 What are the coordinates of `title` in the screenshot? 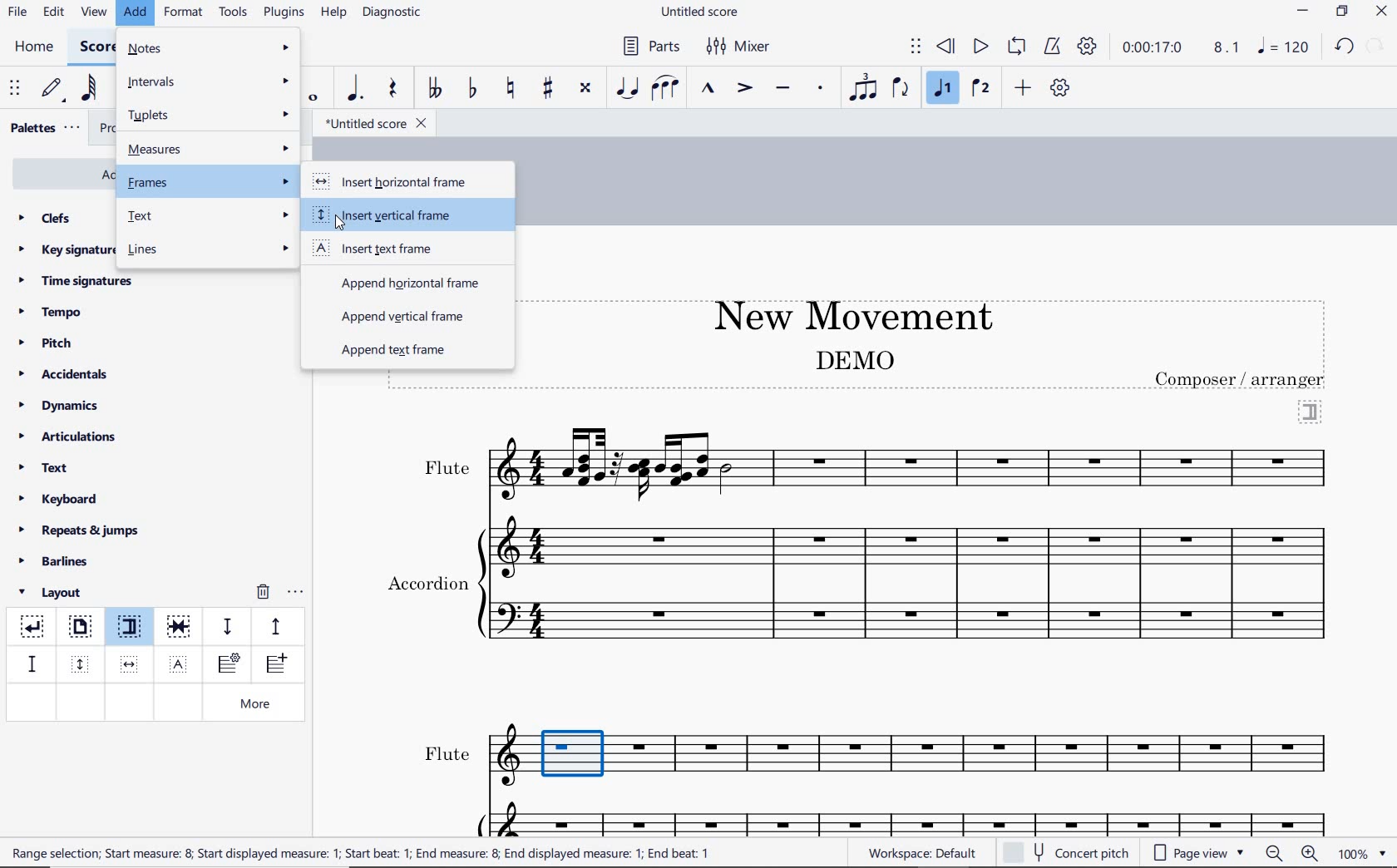 It's located at (845, 313).